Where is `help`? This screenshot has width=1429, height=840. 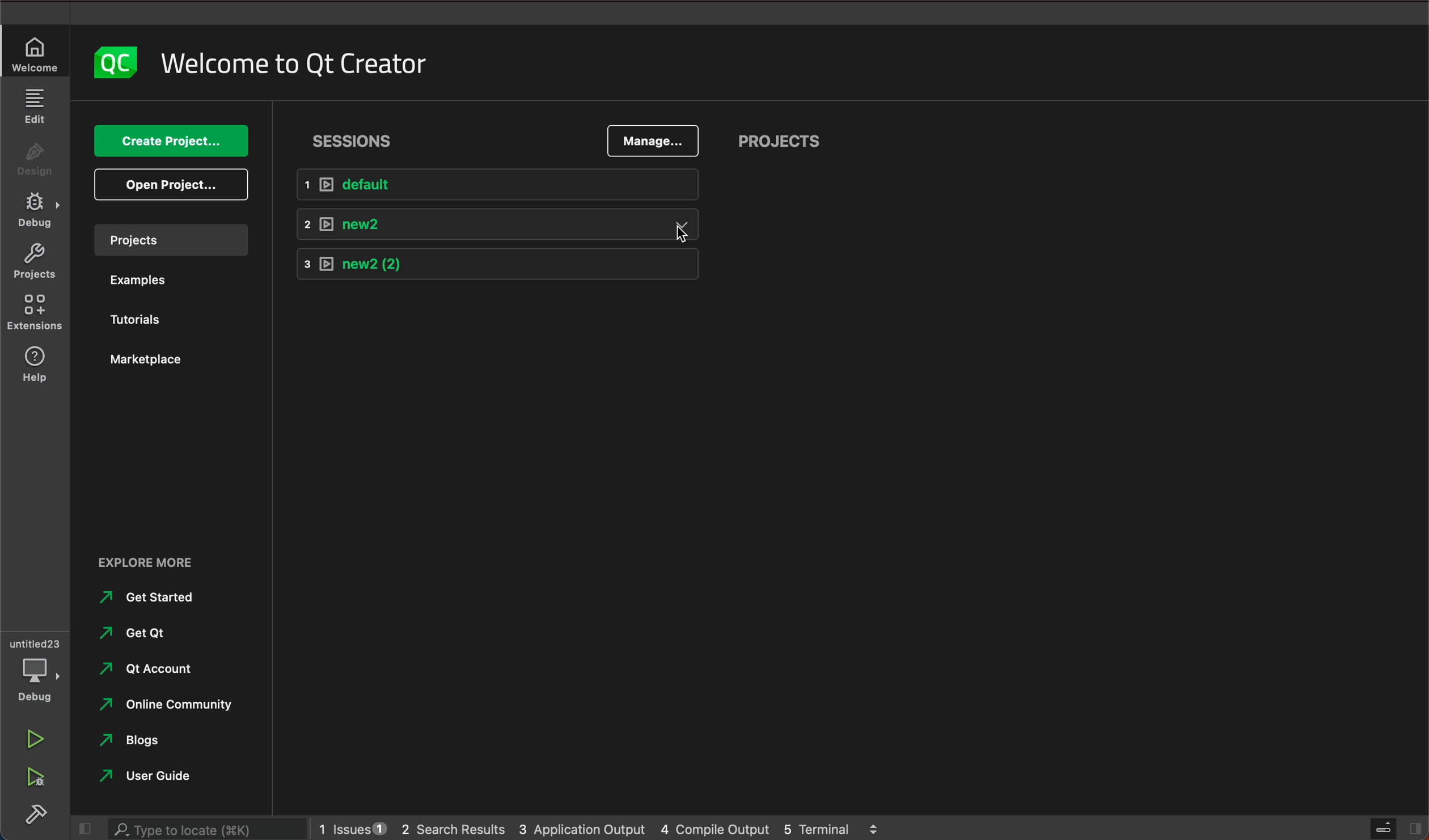
help is located at coordinates (33, 366).